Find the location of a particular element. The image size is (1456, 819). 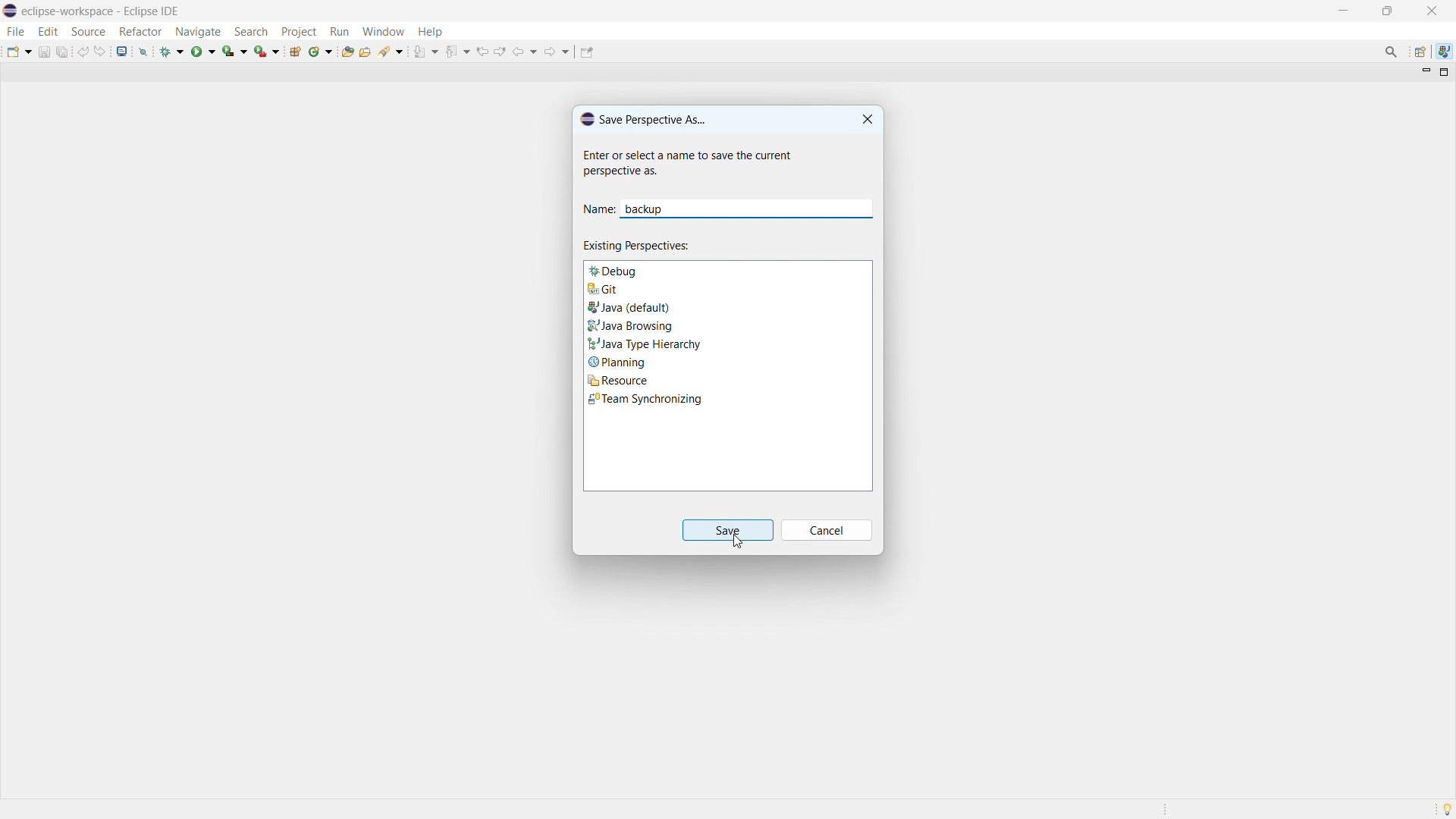

coverage is located at coordinates (235, 50).